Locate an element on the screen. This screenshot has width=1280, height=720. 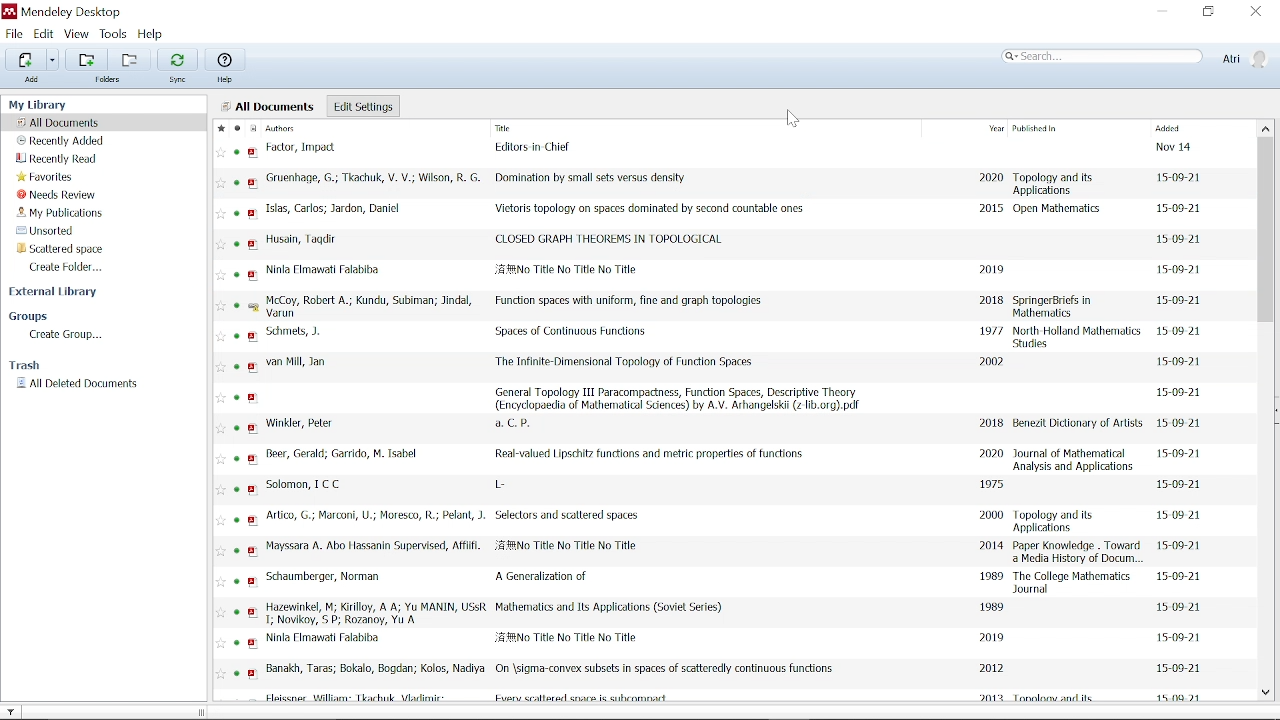
Create Group is located at coordinates (64, 334).